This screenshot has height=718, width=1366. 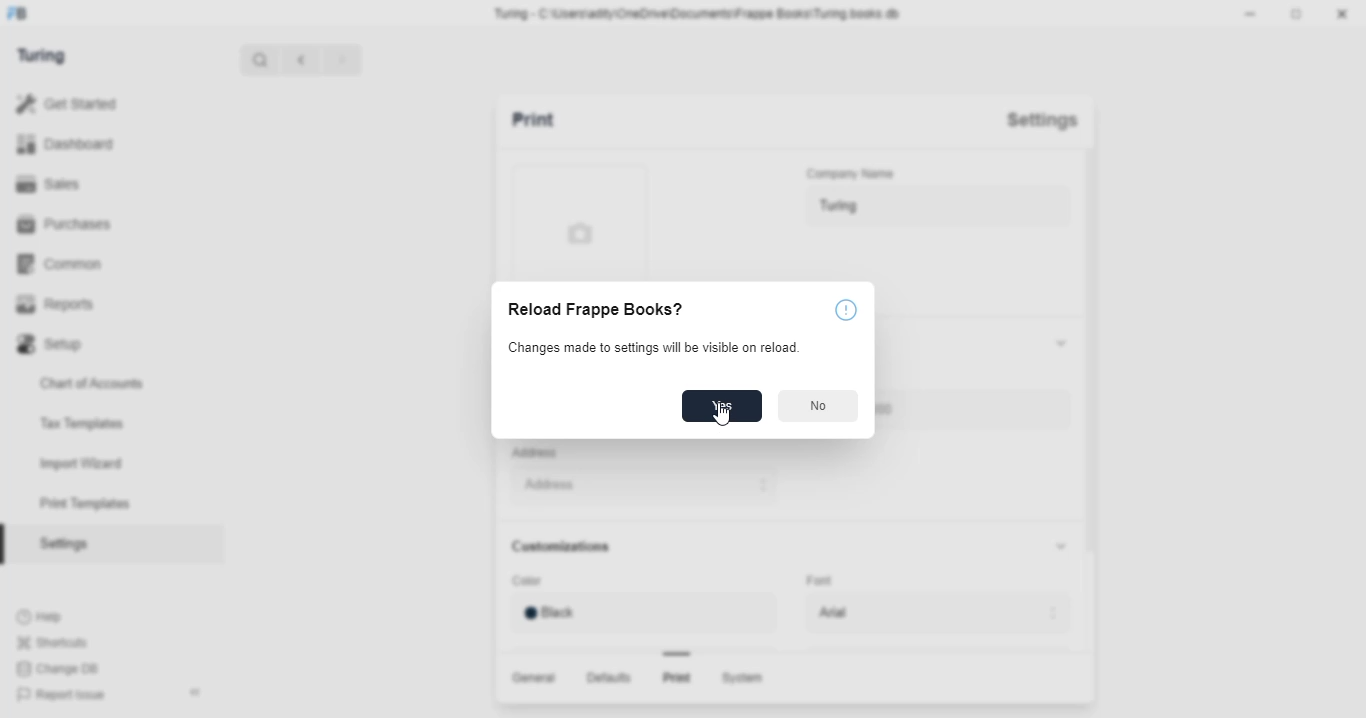 What do you see at coordinates (92, 344) in the screenshot?
I see `Setup` at bounding box center [92, 344].